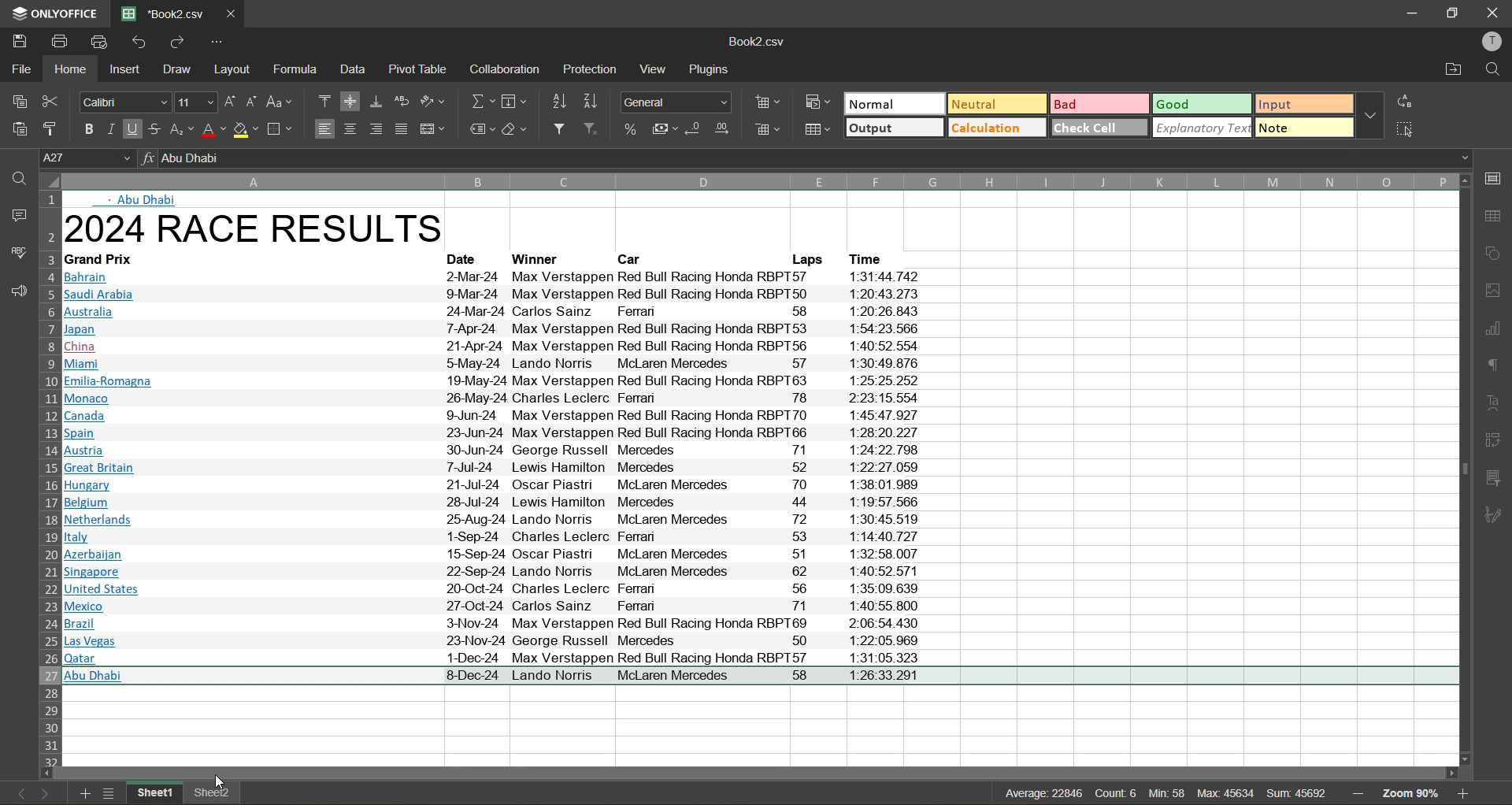 The width and height of the screenshot is (1512, 805). What do you see at coordinates (722, 129) in the screenshot?
I see `increase decimal` at bounding box center [722, 129].